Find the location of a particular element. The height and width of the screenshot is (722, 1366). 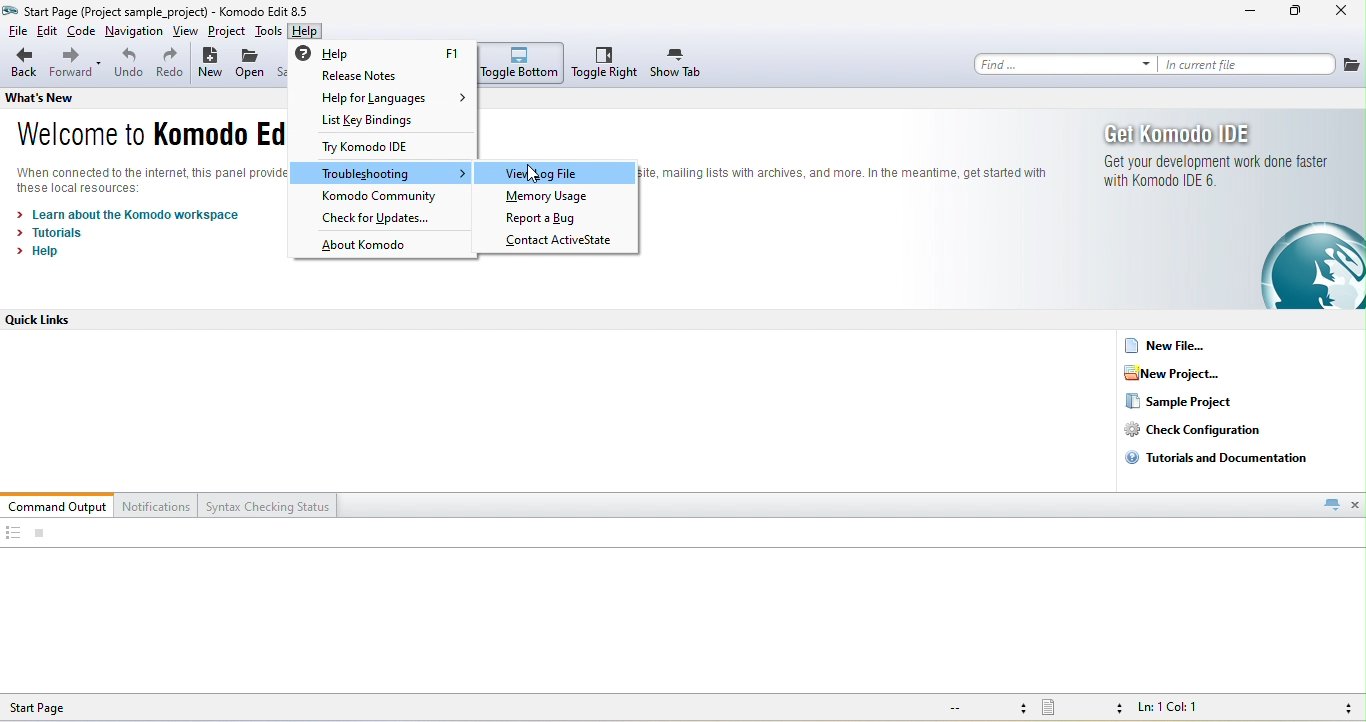

new file is located at coordinates (1174, 345).